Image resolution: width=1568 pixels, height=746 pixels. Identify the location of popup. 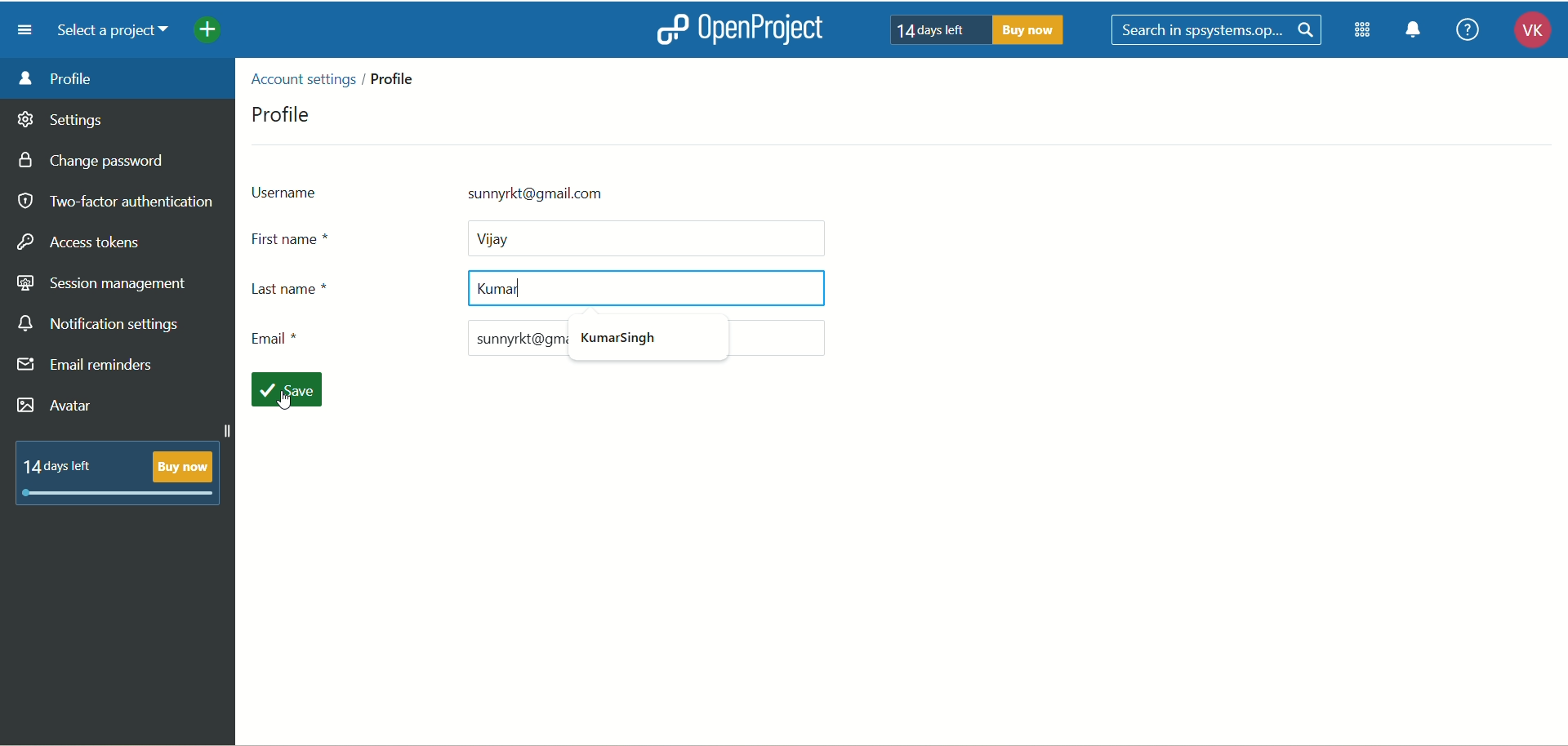
(633, 342).